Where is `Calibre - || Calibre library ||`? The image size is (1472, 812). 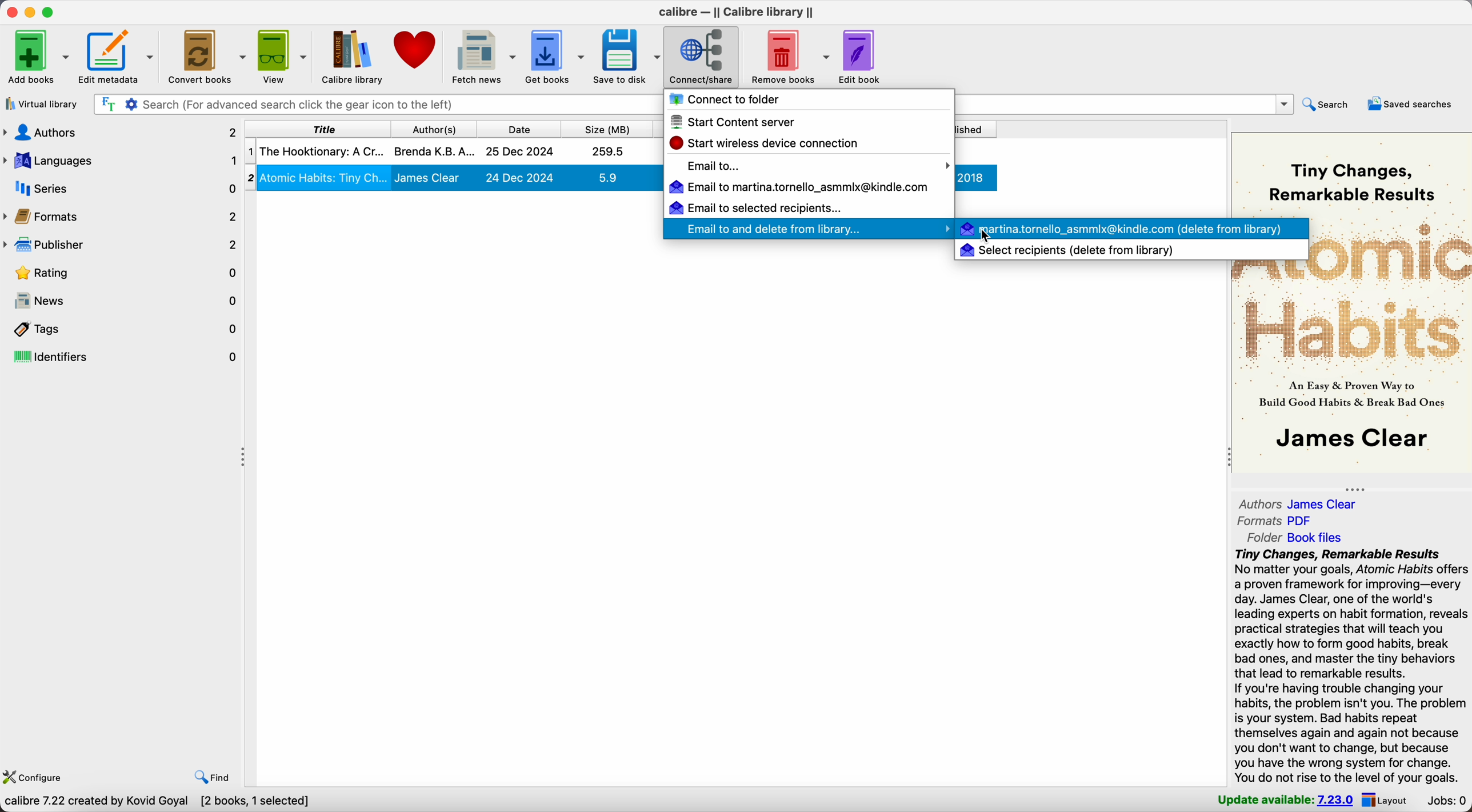
Calibre - || Calibre library || is located at coordinates (736, 12).